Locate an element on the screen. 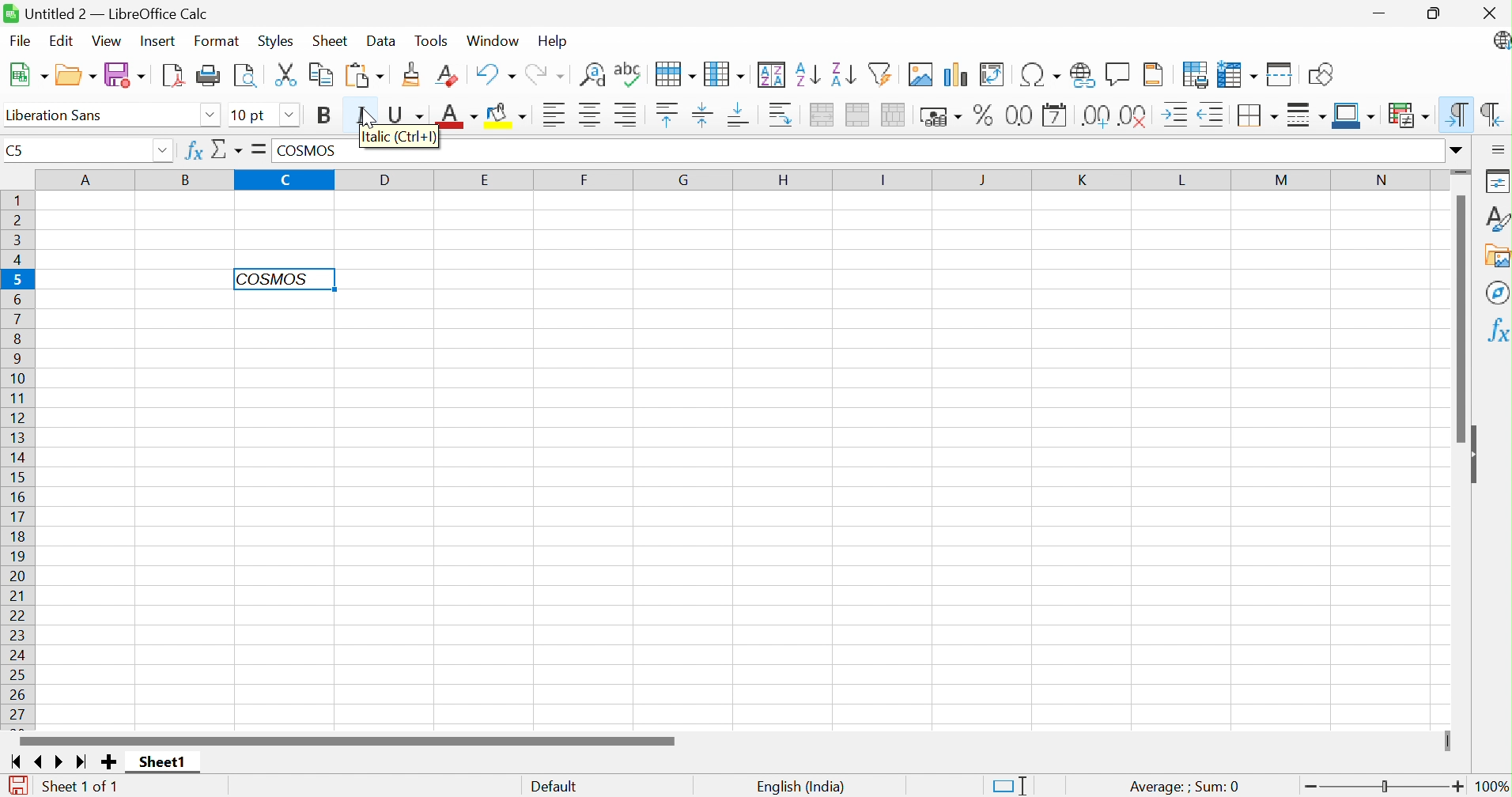  Sheet1 is located at coordinates (161, 762).